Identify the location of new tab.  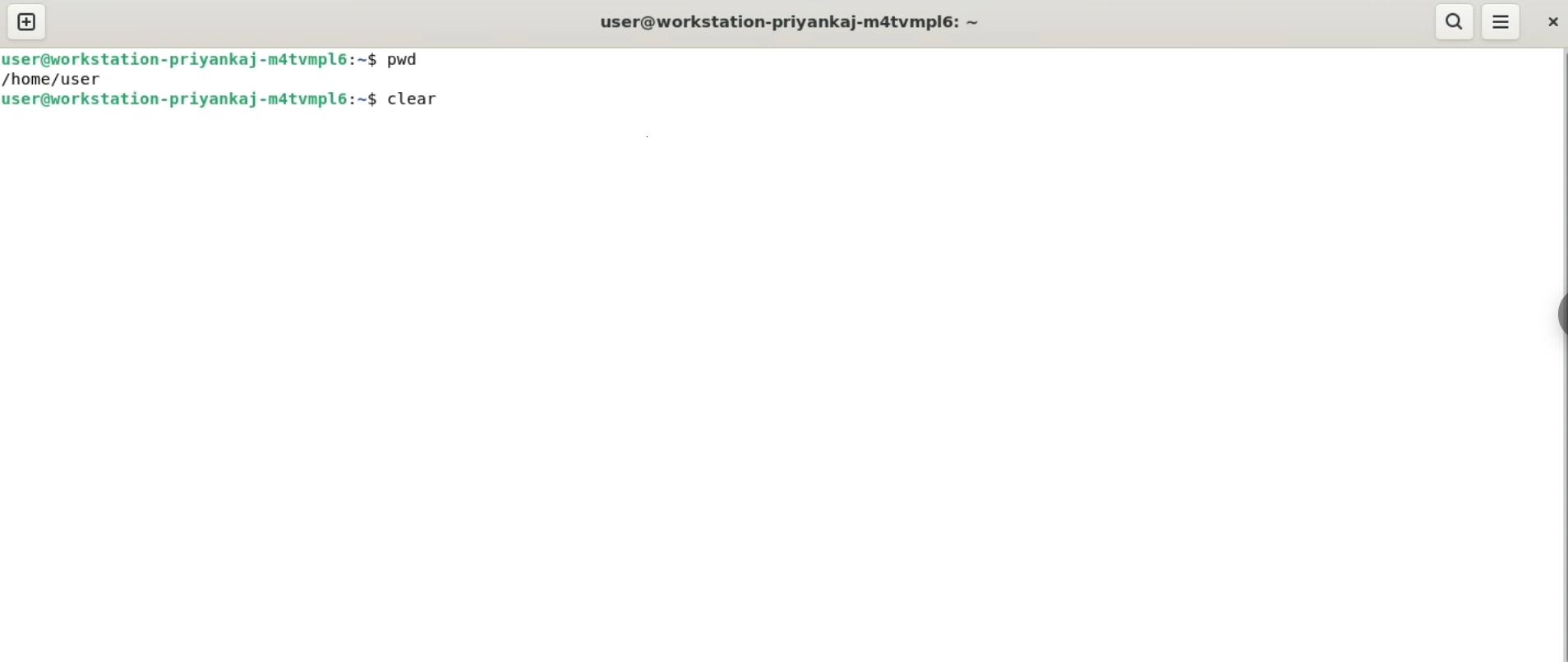
(31, 21).